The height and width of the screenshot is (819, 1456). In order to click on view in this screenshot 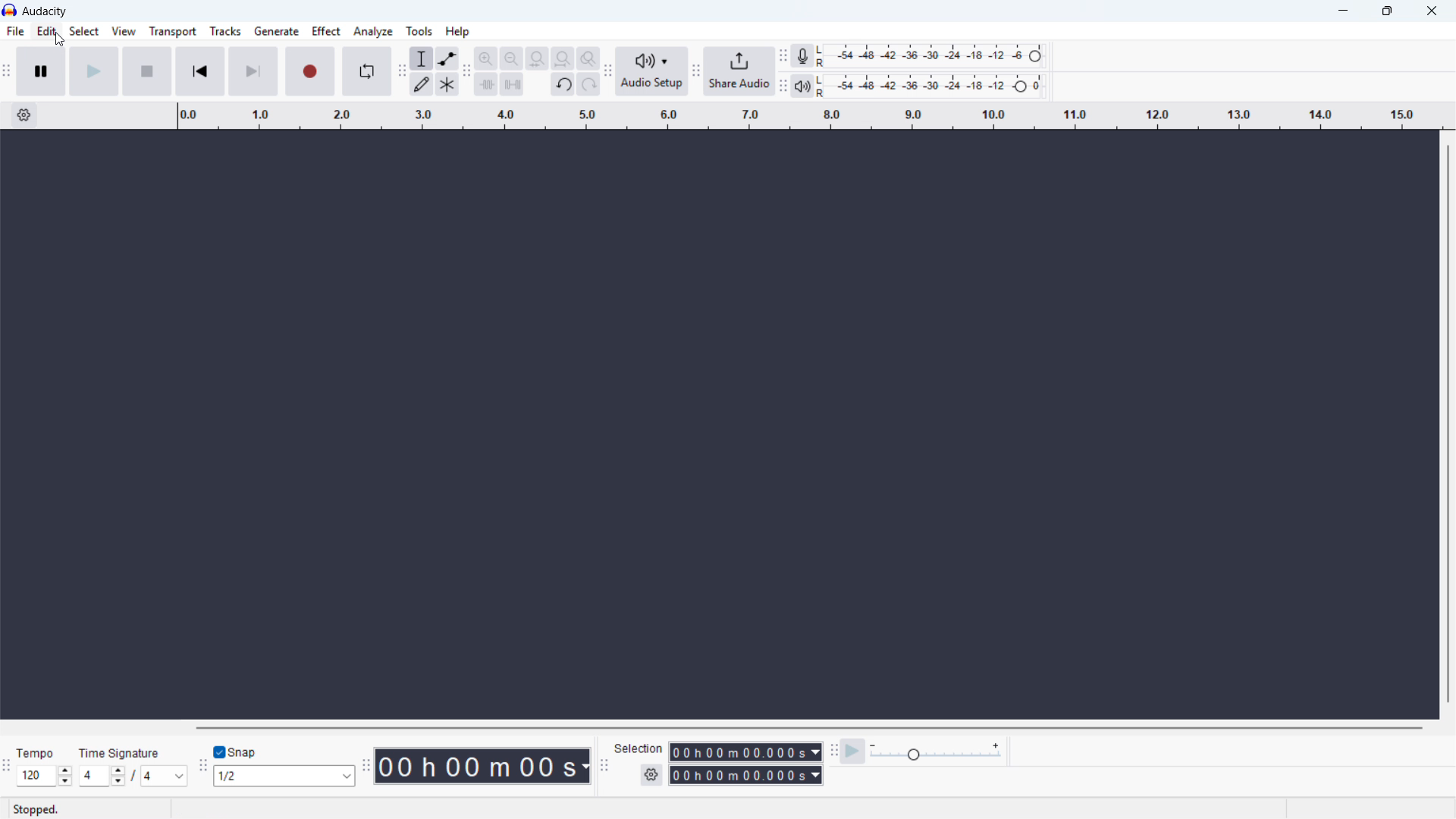, I will do `click(124, 31)`.